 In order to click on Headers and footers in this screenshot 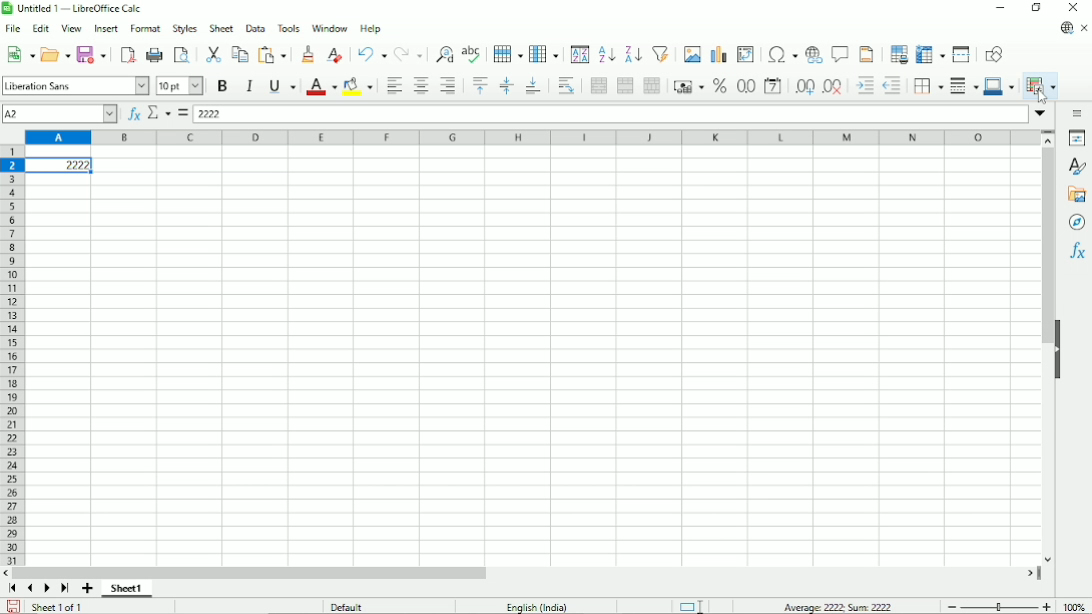, I will do `click(865, 54)`.